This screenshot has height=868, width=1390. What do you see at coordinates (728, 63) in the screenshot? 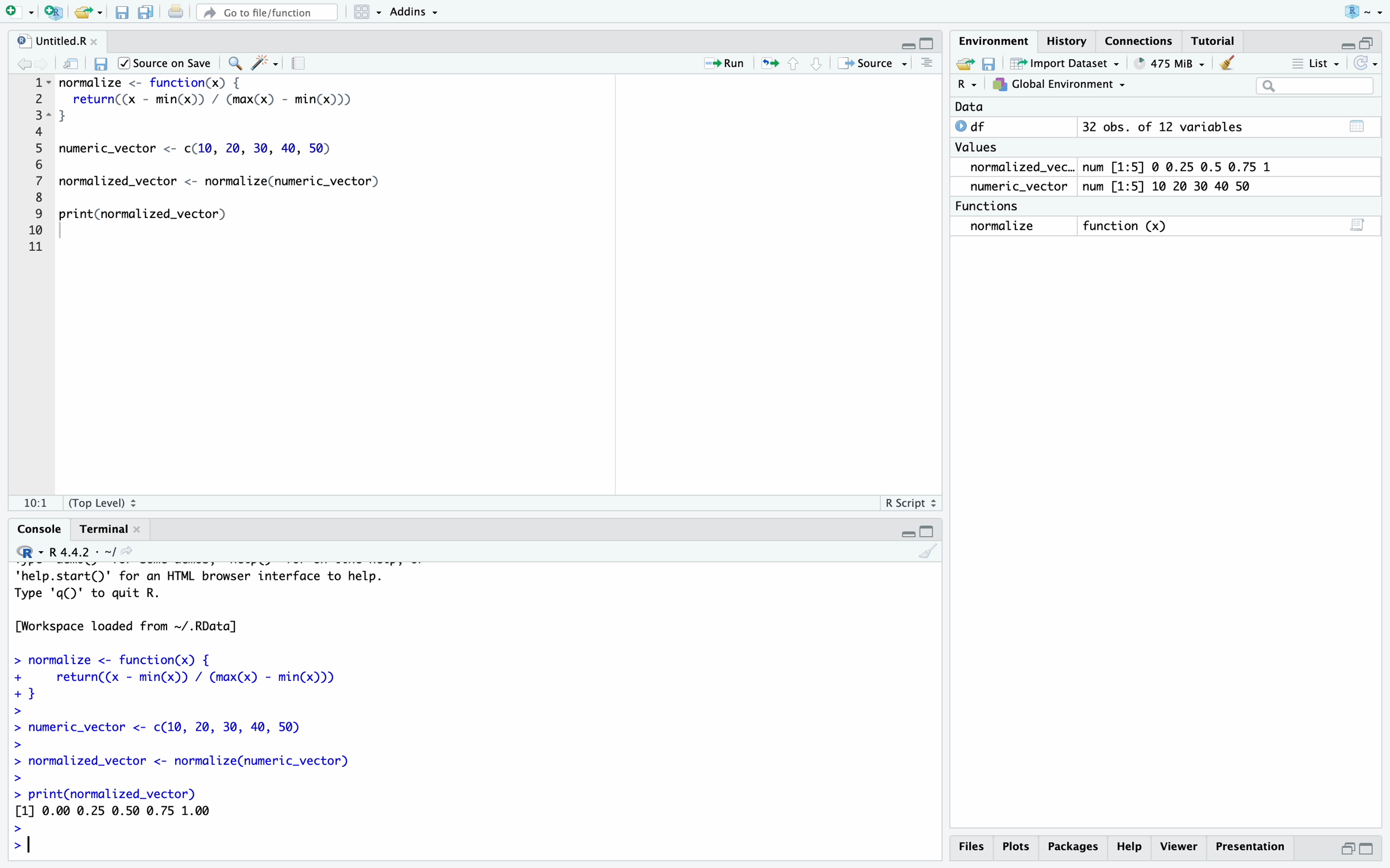
I see `Run the current line or selection (Ctrl + Enter)` at bounding box center [728, 63].